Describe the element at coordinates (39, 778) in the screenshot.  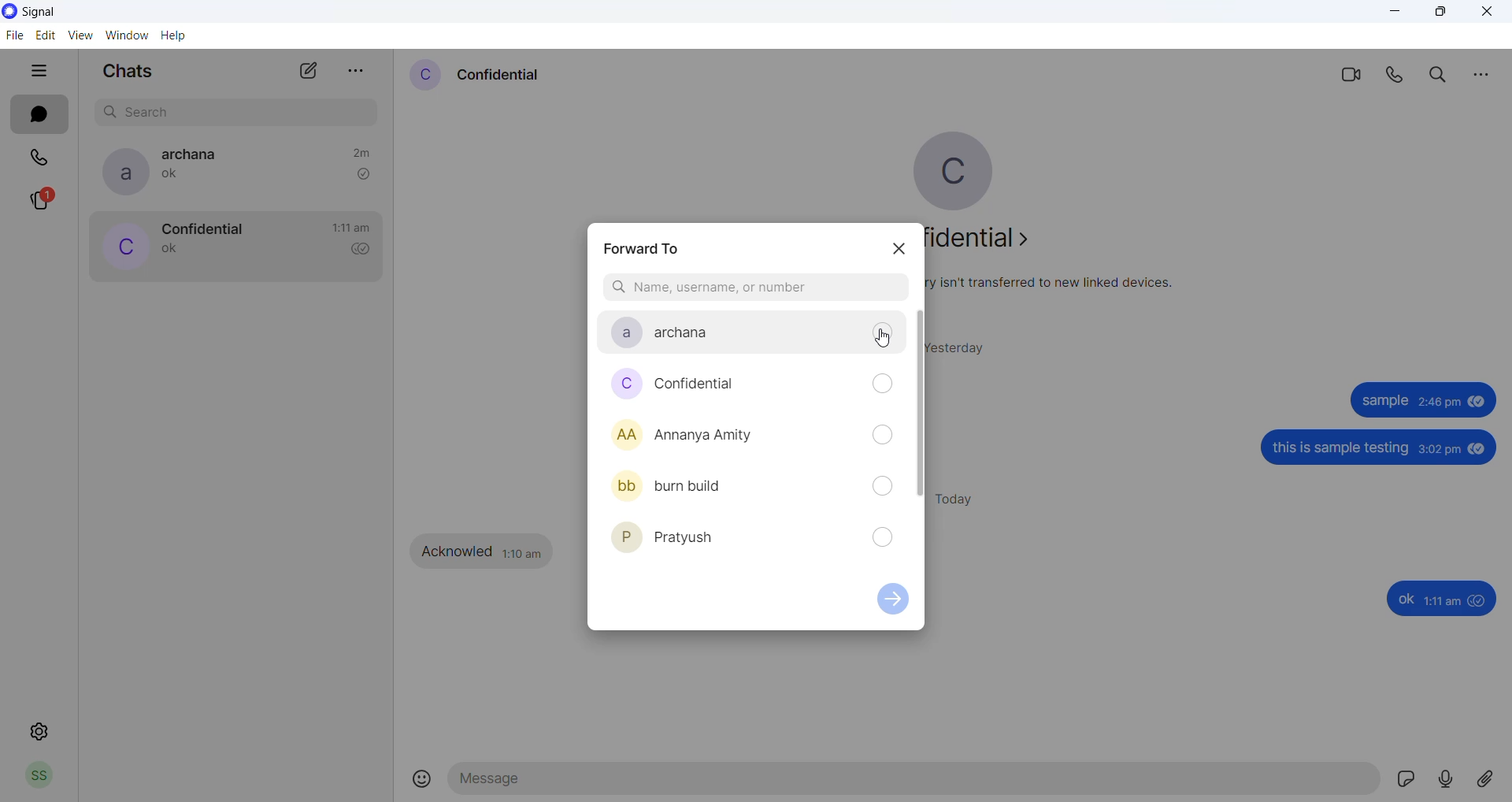
I see `profile` at that location.